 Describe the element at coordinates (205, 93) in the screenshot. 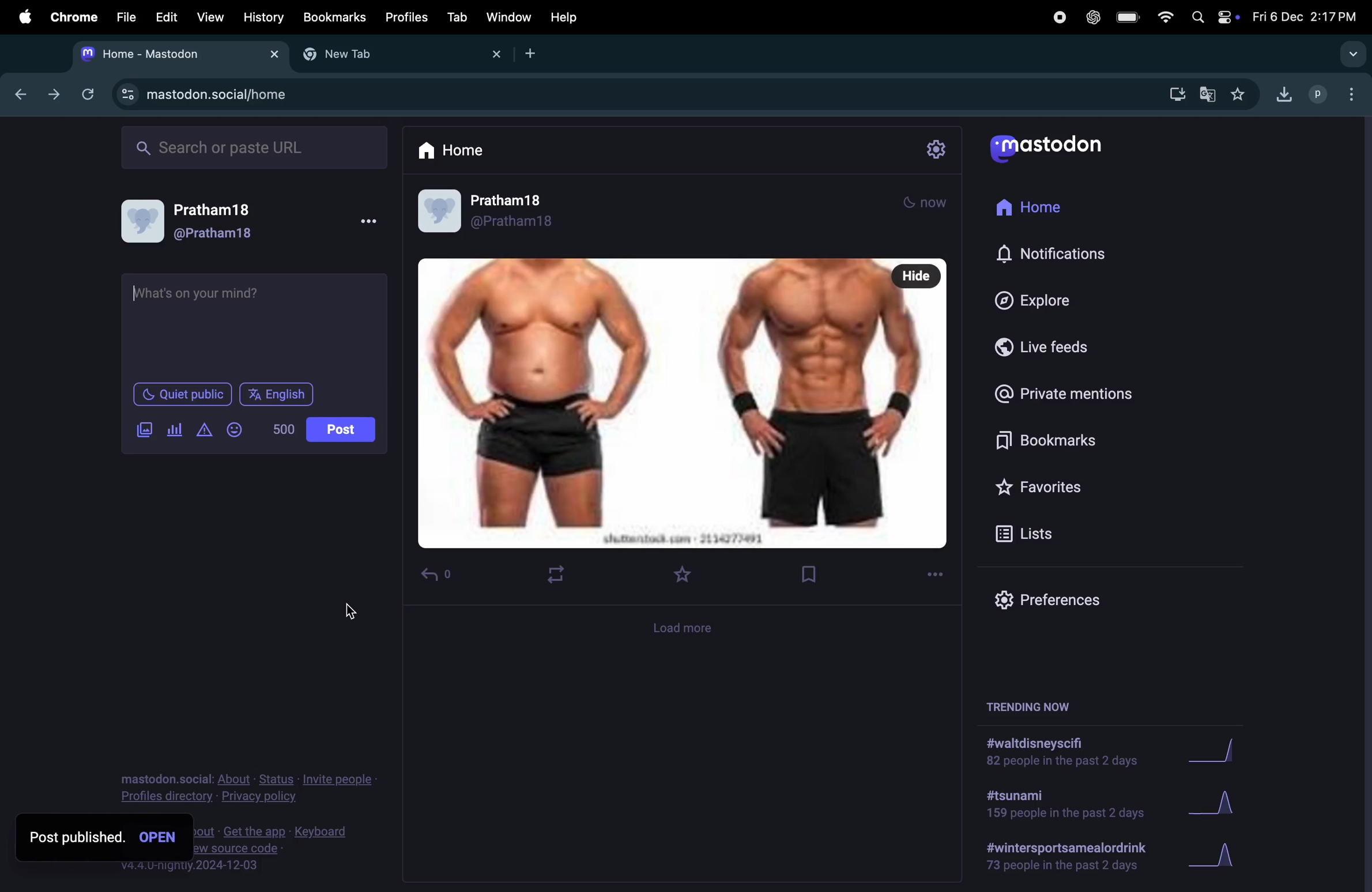

I see `mastdoon social url` at that location.